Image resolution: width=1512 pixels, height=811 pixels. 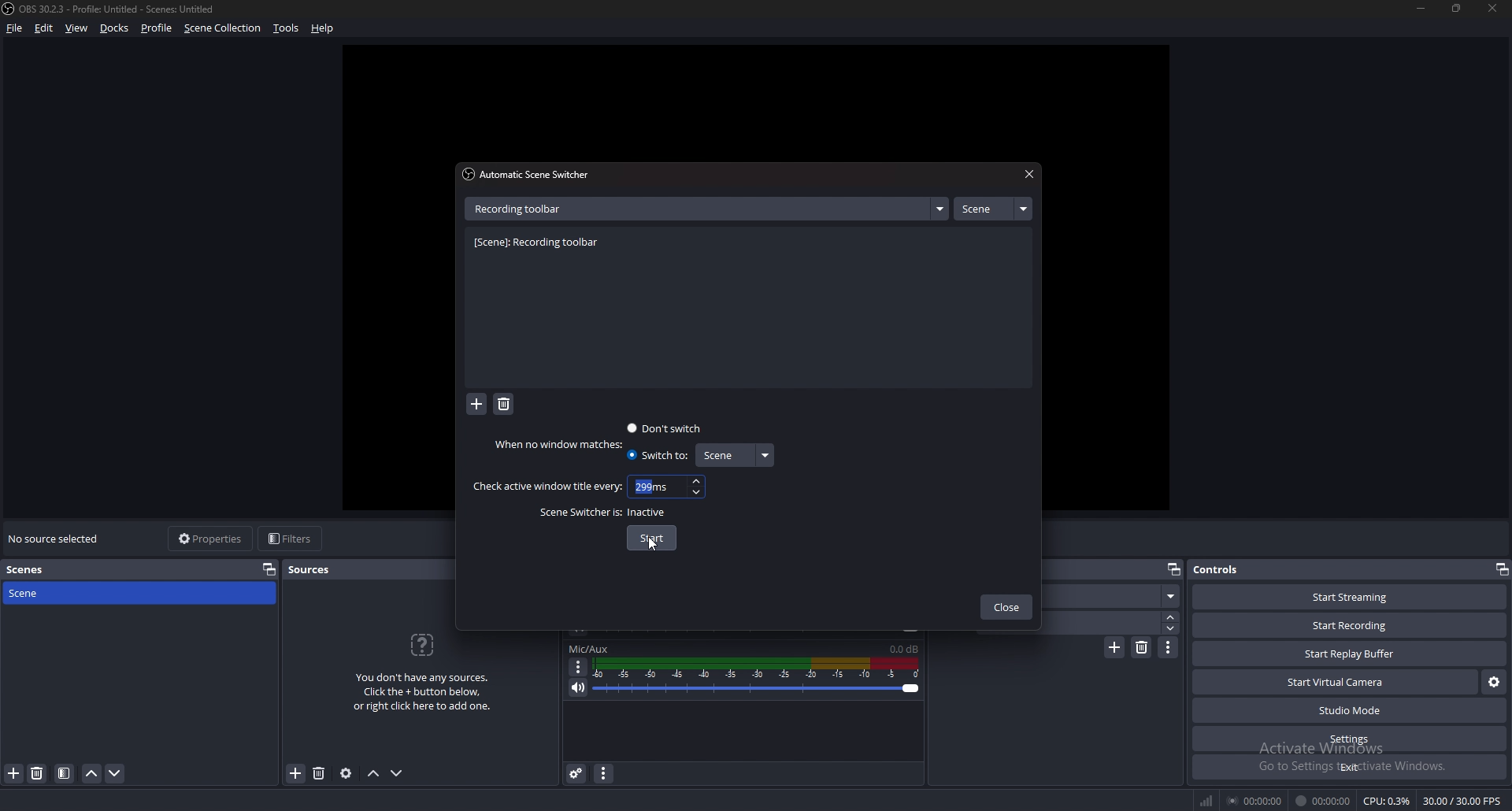 I want to click on scene collection, so click(x=224, y=27).